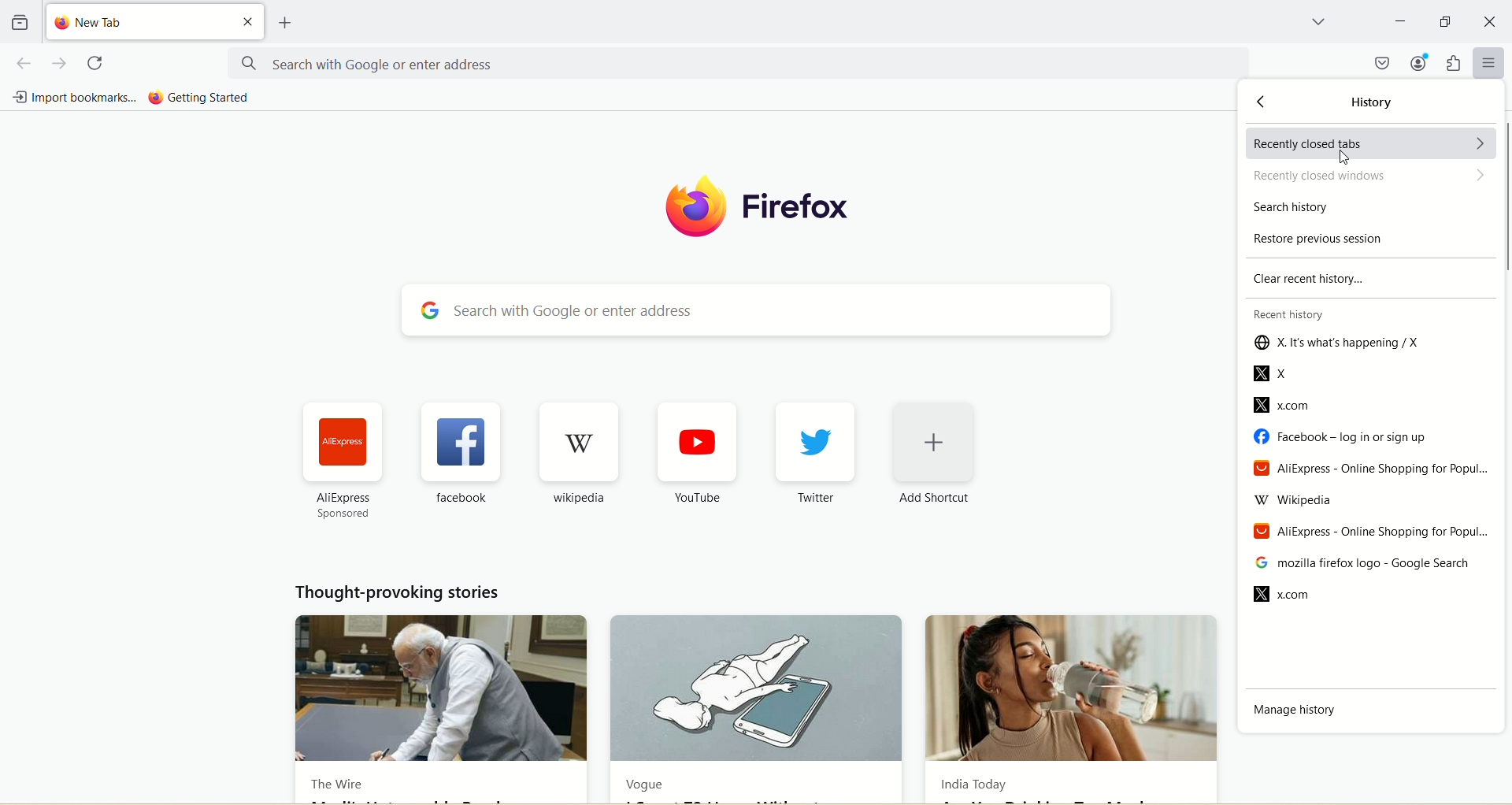 This screenshot has width=1512, height=805. What do you see at coordinates (754, 309) in the screenshot?
I see `search with google or enter address` at bounding box center [754, 309].